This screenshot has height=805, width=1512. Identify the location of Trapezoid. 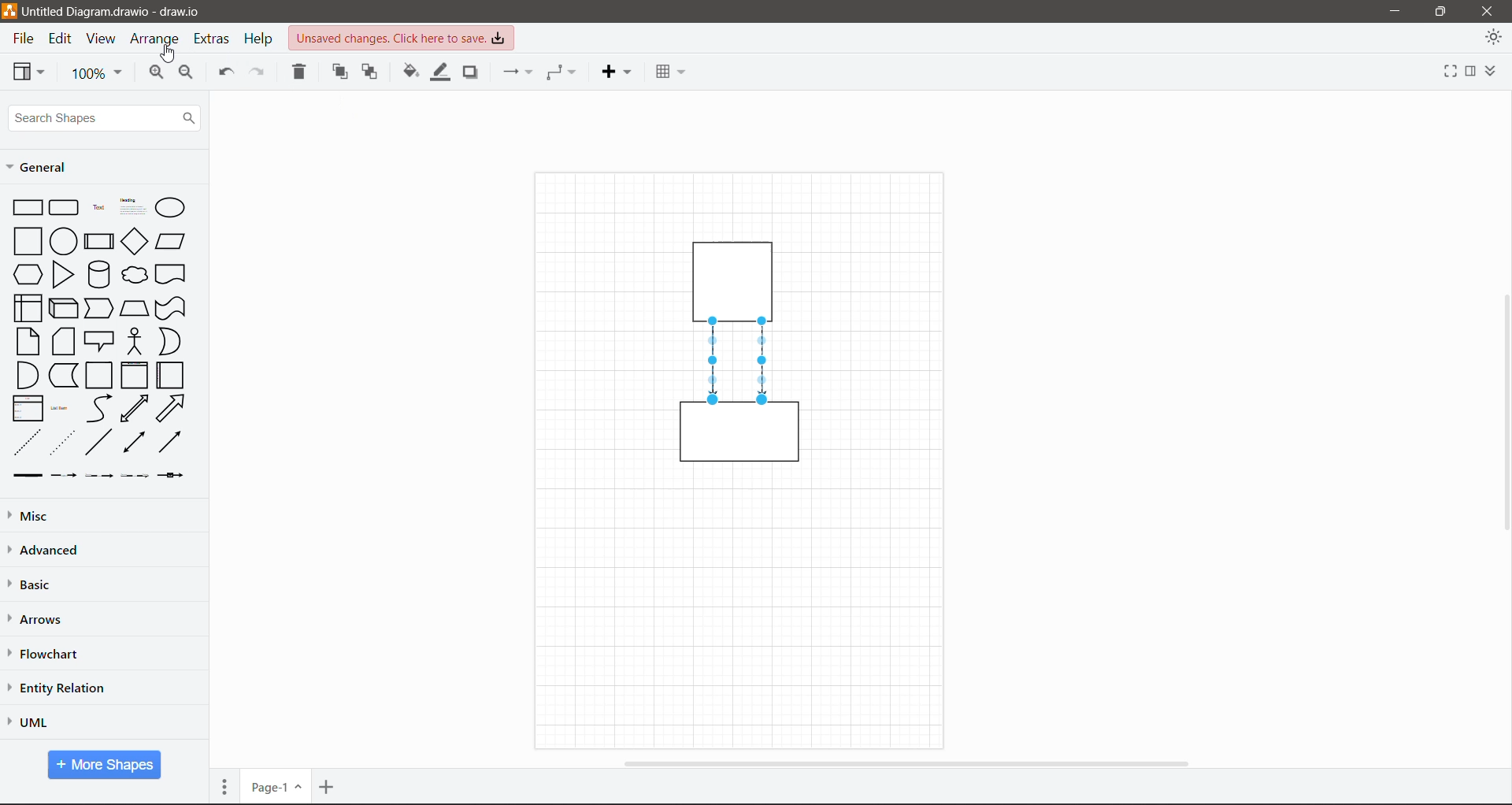
(134, 306).